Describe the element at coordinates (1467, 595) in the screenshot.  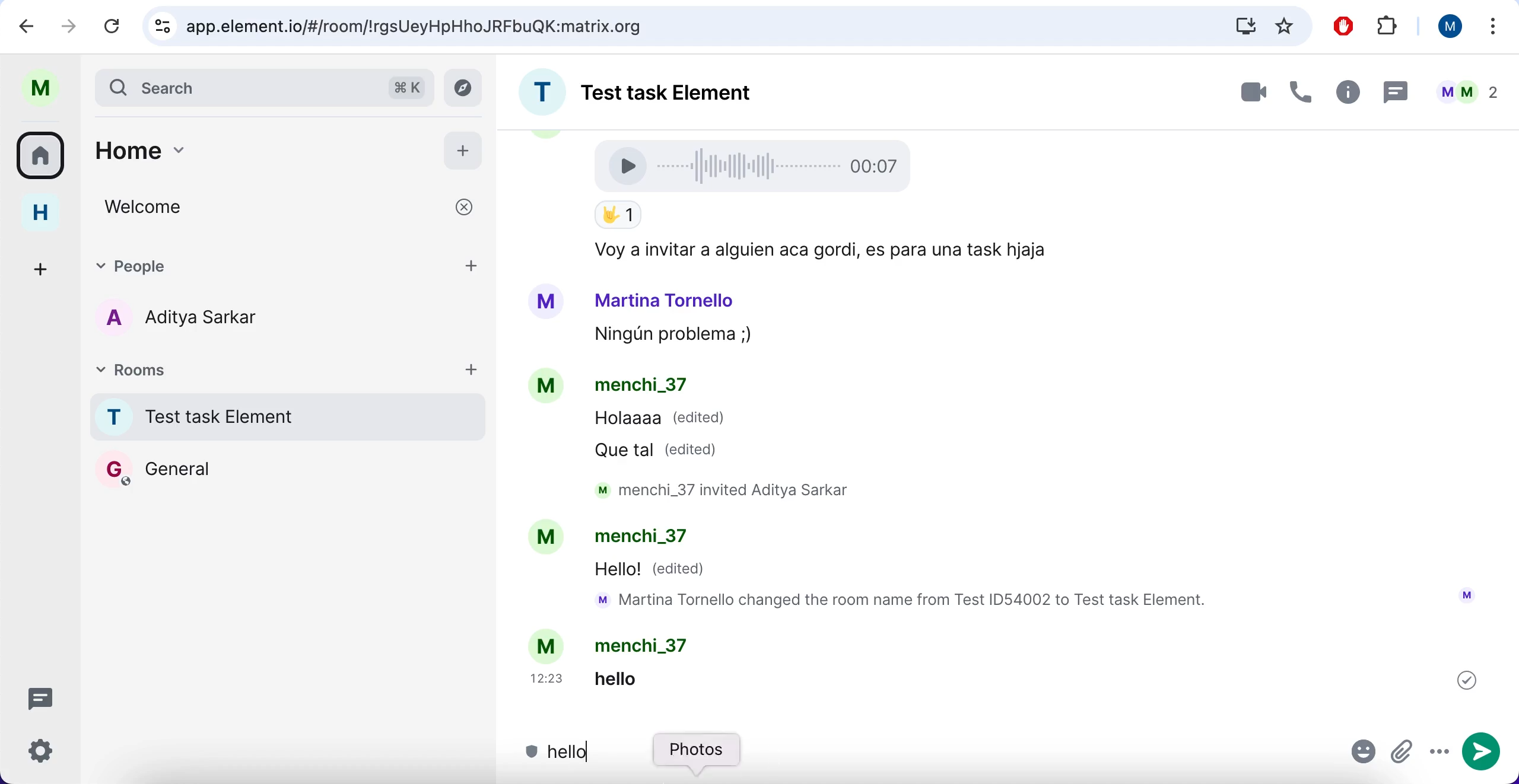
I see `User Icon` at that location.